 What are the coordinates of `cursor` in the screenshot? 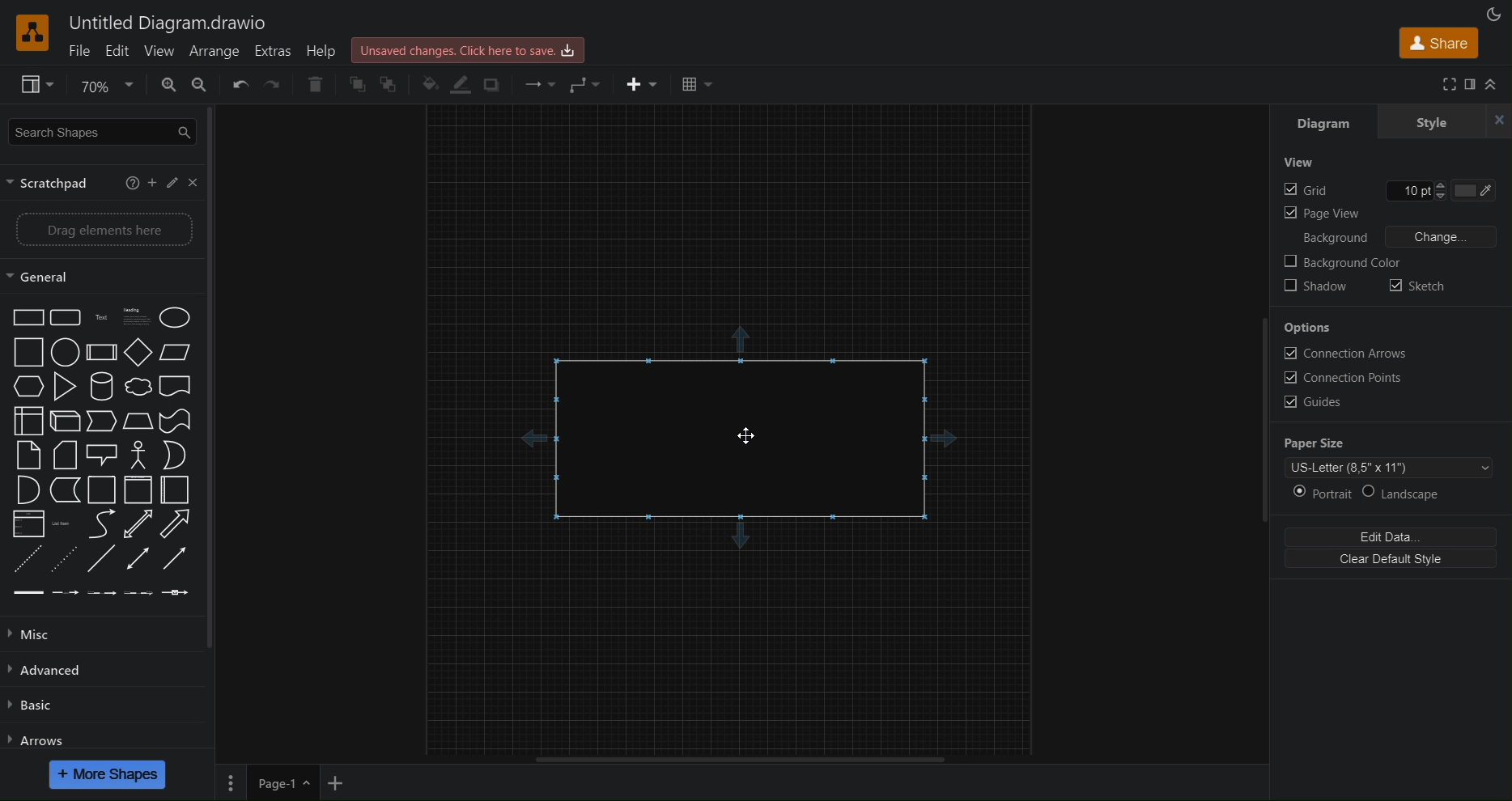 It's located at (749, 436).